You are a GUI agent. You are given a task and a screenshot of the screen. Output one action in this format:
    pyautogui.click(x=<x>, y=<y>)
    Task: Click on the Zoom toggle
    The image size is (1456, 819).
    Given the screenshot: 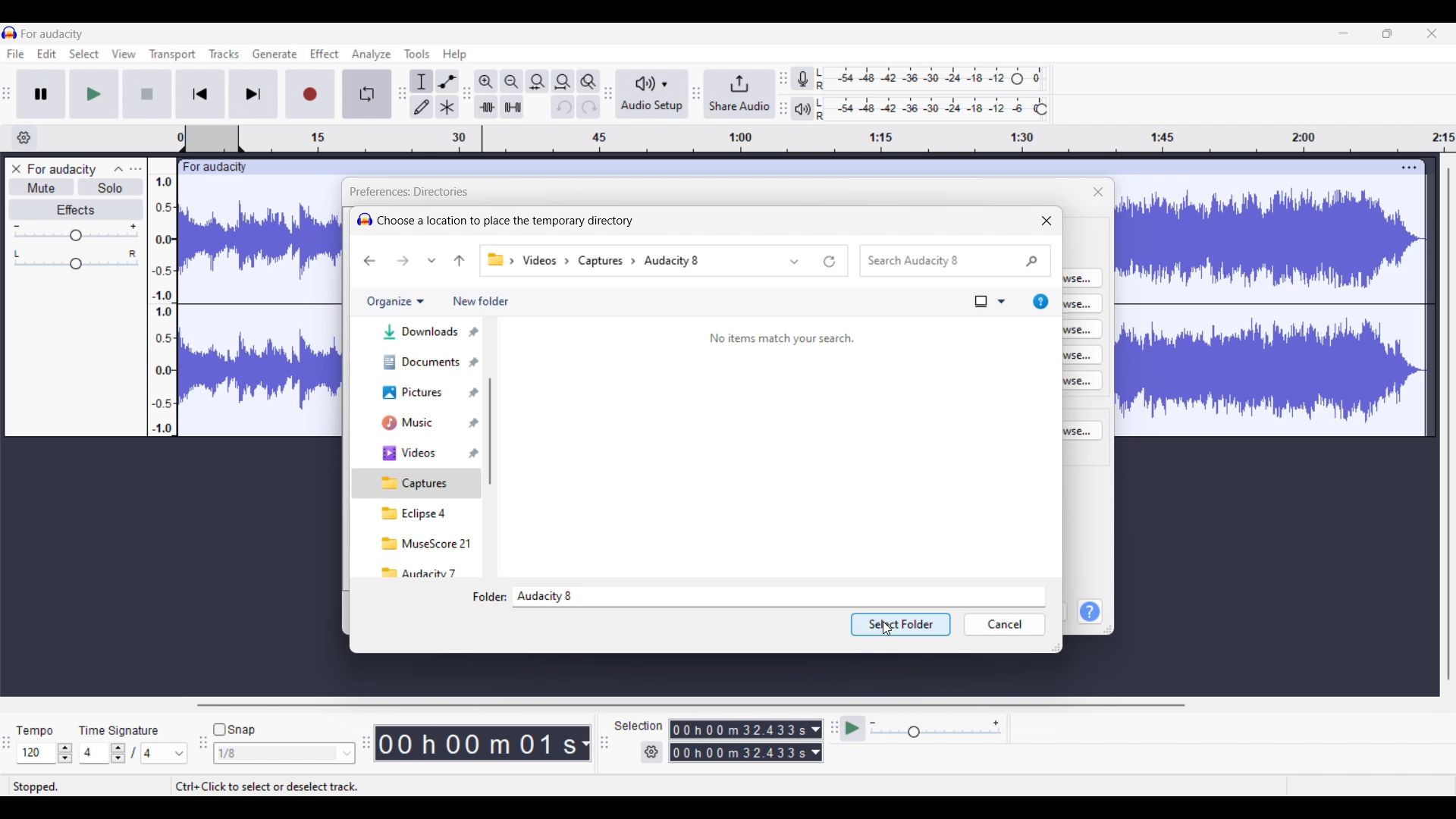 What is the action you would take?
    pyautogui.click(x=588, y=81)
    